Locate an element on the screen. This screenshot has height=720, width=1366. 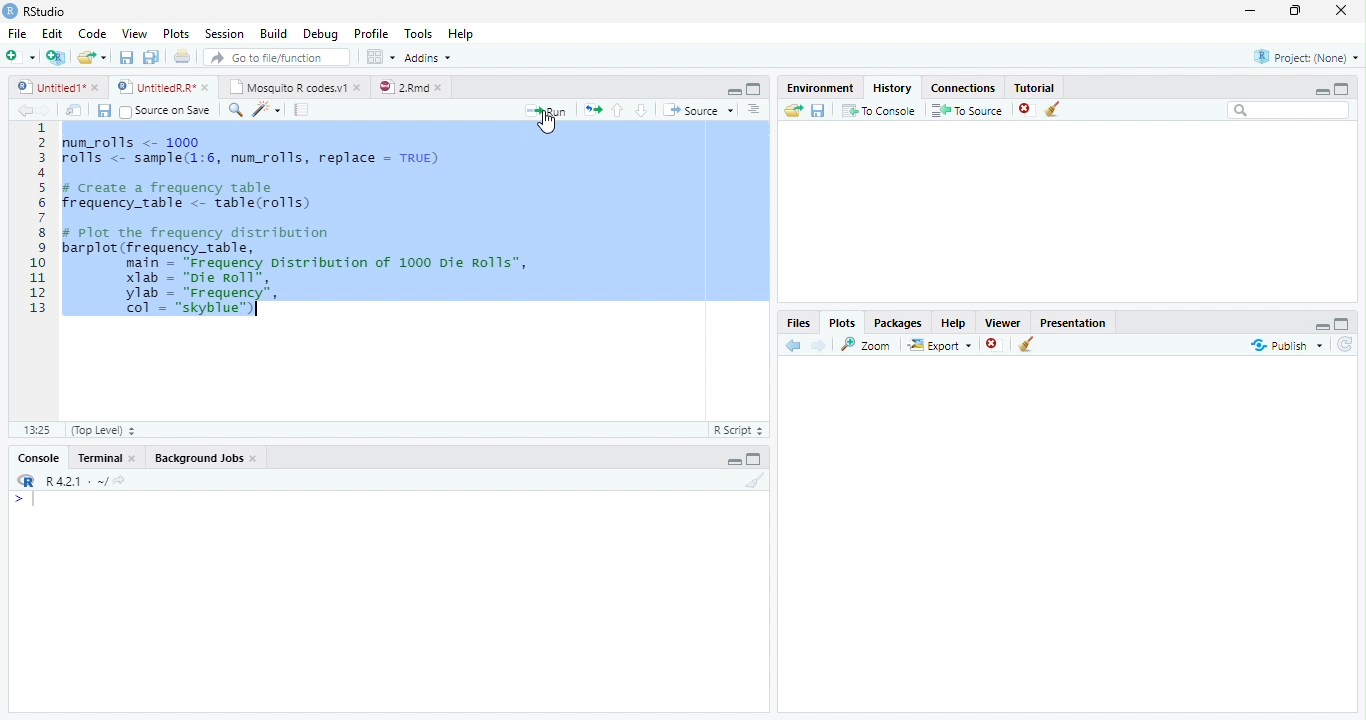
Background Jobs is located at coordinates (207, 456).